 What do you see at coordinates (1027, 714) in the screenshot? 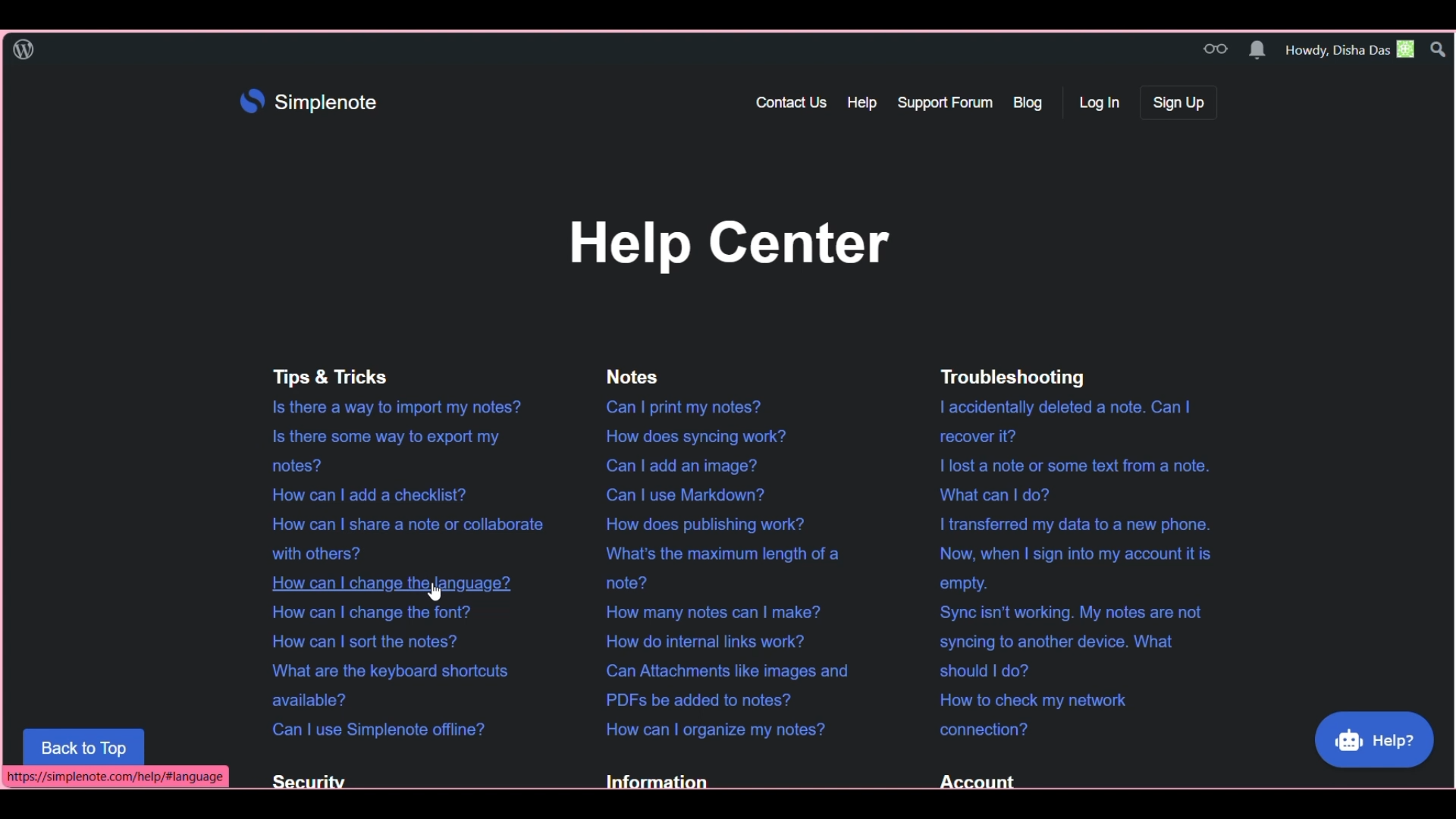
I see `How to check my network connection?` at bounding box center [1027, 714].